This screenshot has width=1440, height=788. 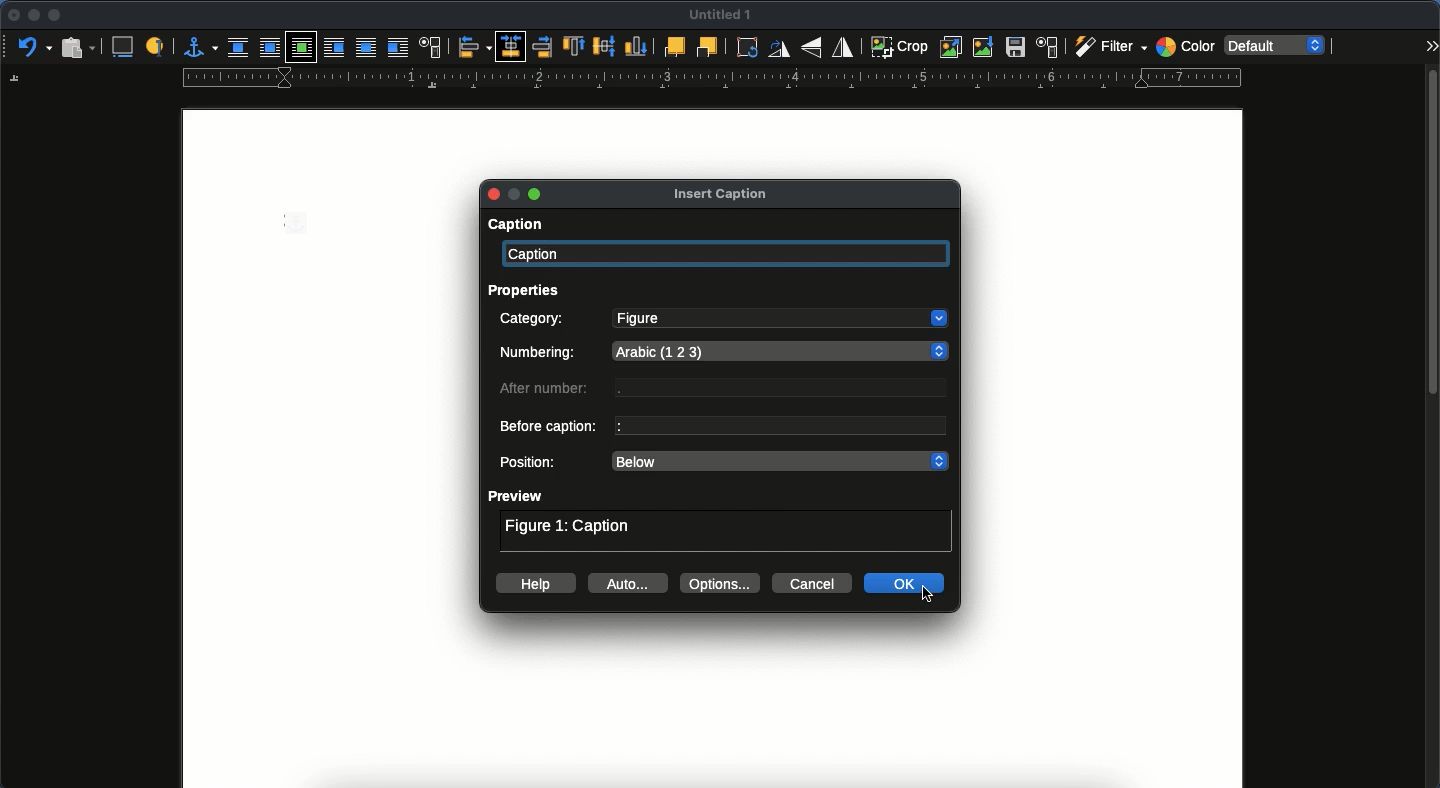 What do you see at coordinates (475, 46) in the screenshot?
I see `align objects` at bounding box center [475, 46].